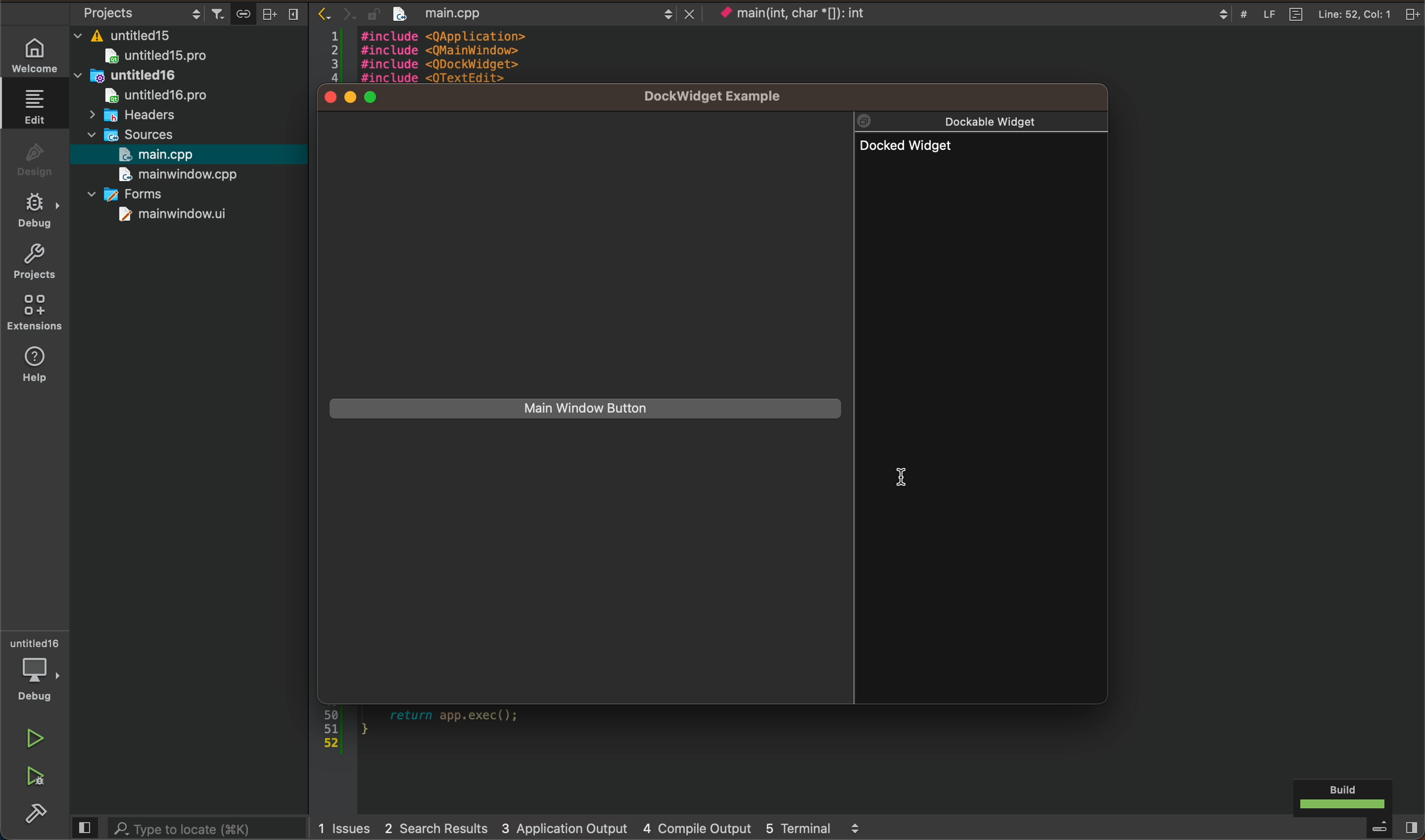  What do you see at coordinates (193, 36) in the screenshot?
I see `files and folders` at bounding box center [193, 36].